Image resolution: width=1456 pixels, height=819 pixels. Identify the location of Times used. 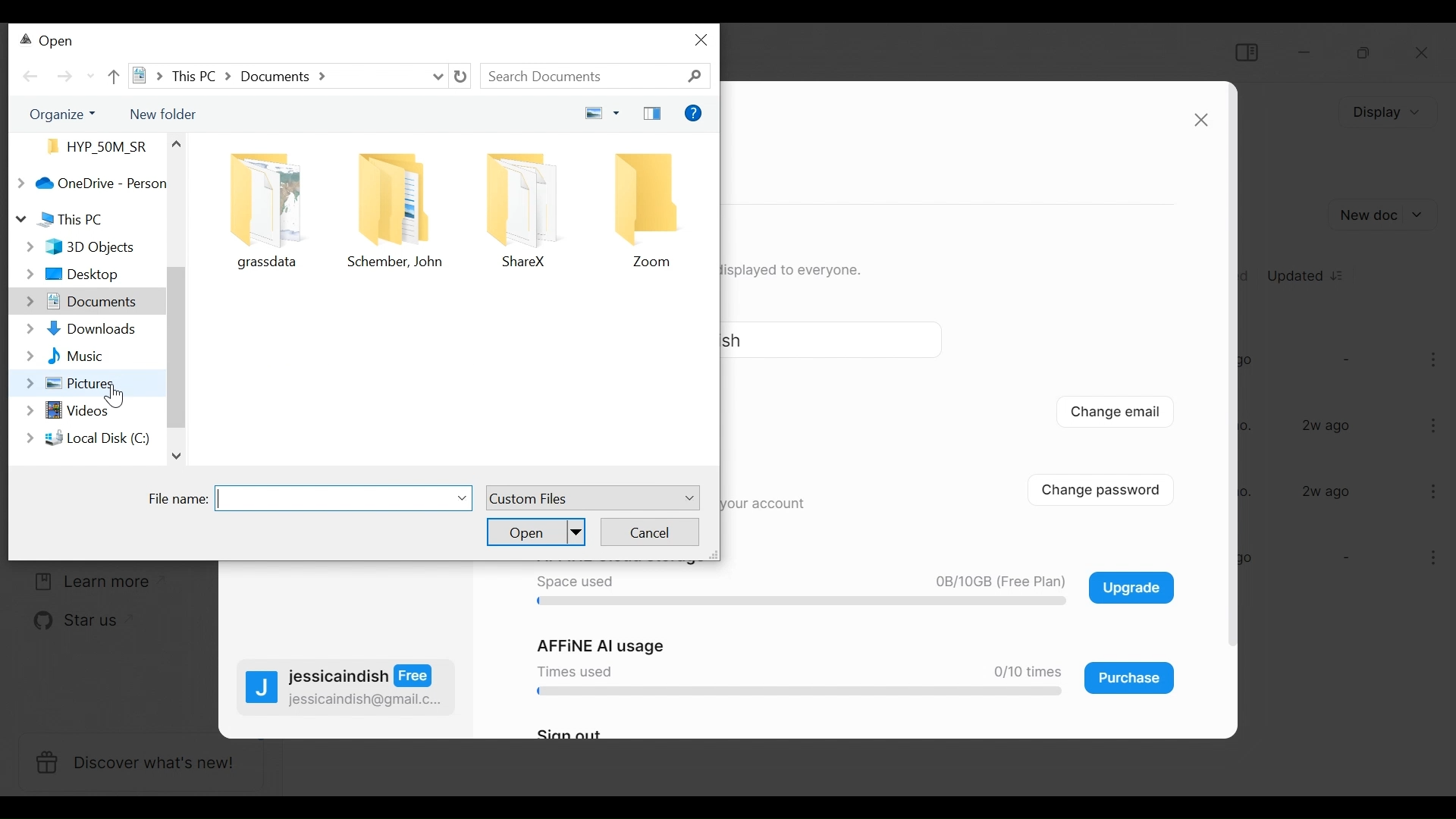
(571, 670).